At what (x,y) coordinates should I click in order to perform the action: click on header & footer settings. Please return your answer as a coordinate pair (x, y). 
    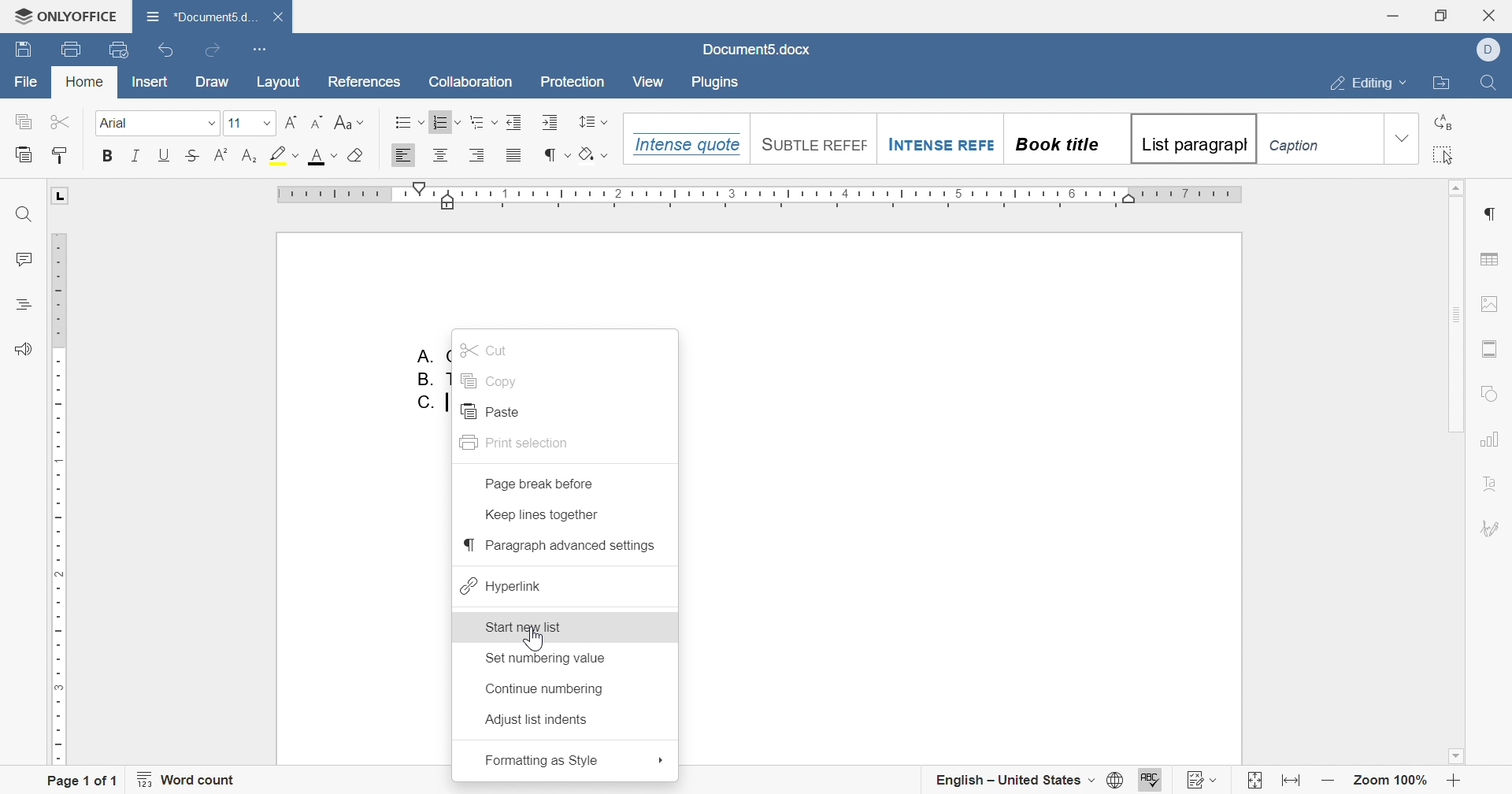
    Looking at the image, I should click on (1489, 350).